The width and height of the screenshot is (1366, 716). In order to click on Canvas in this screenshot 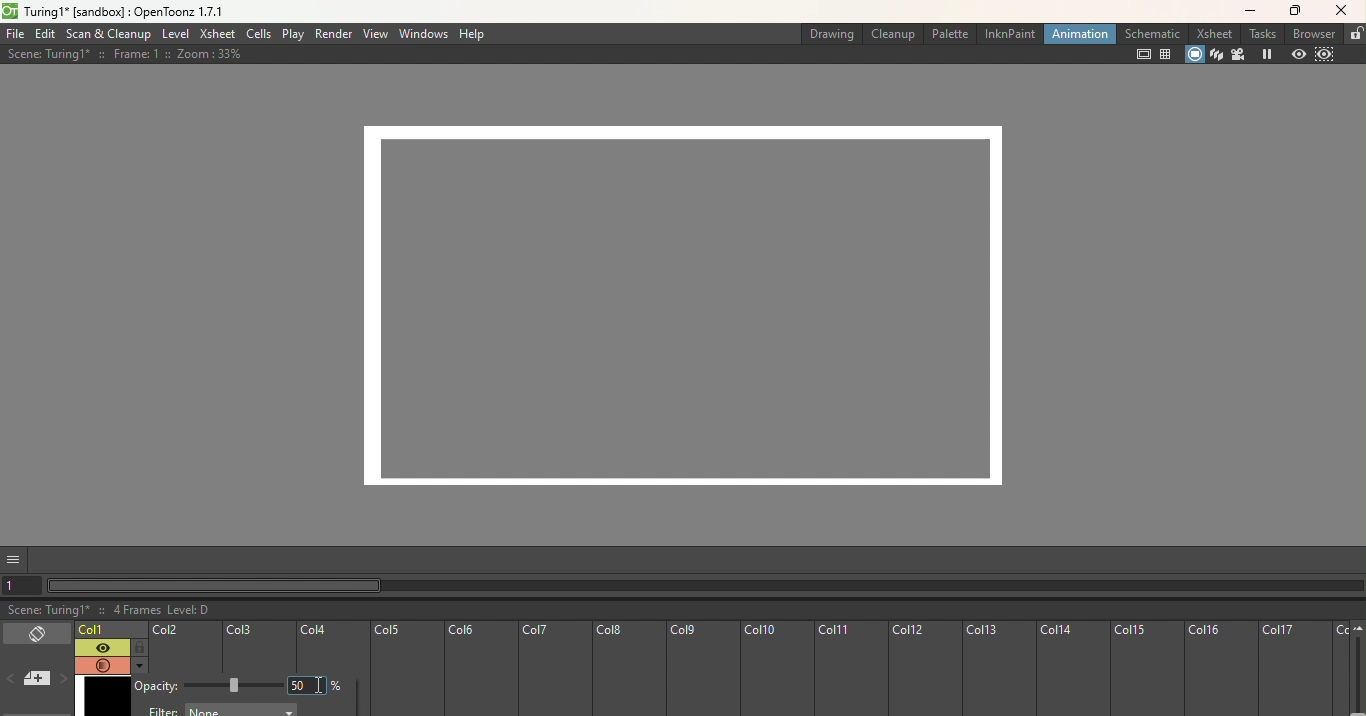, I will do `click(712, 309)`.